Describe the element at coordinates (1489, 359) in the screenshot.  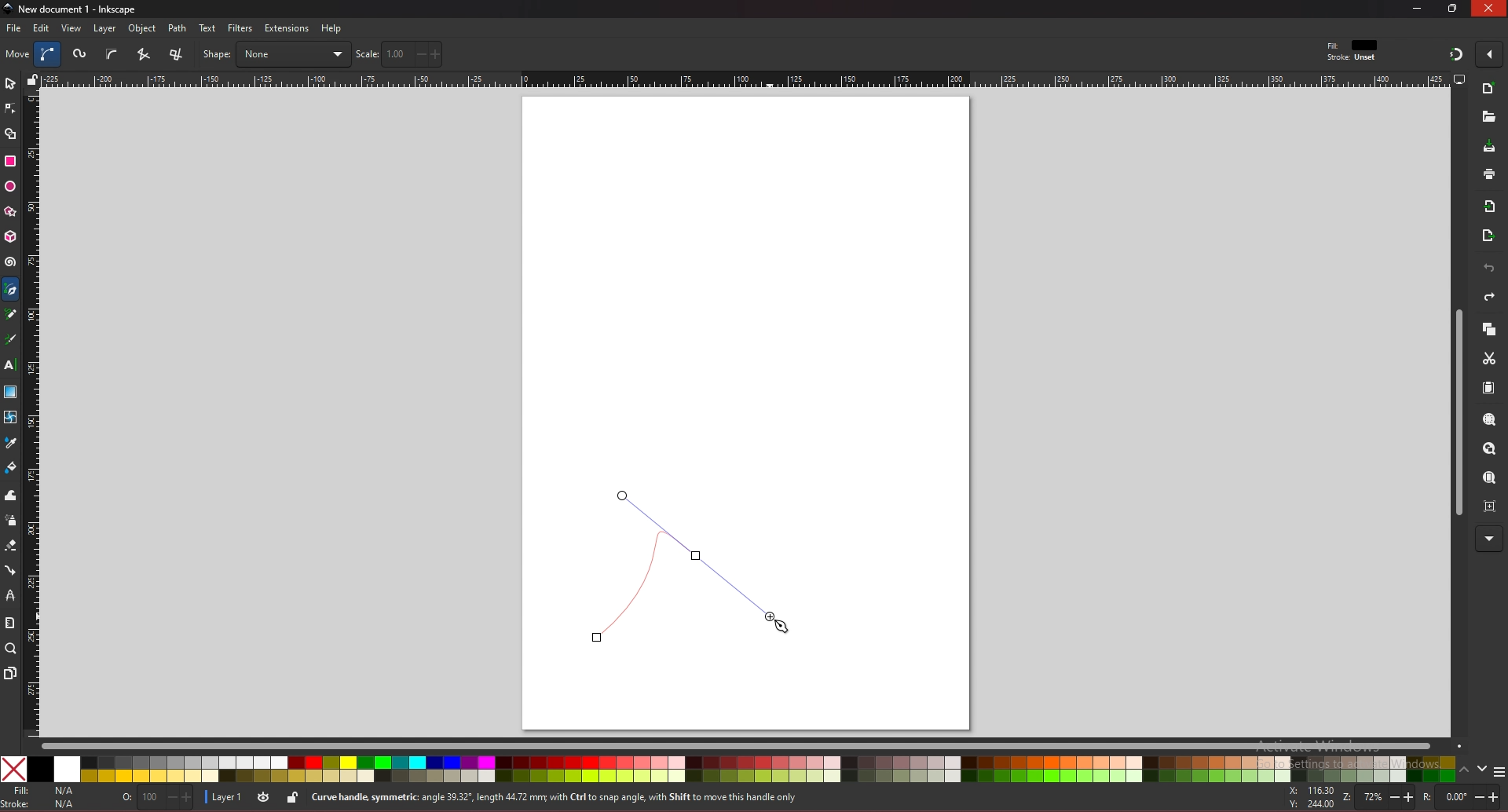
I see `cut` at that location.